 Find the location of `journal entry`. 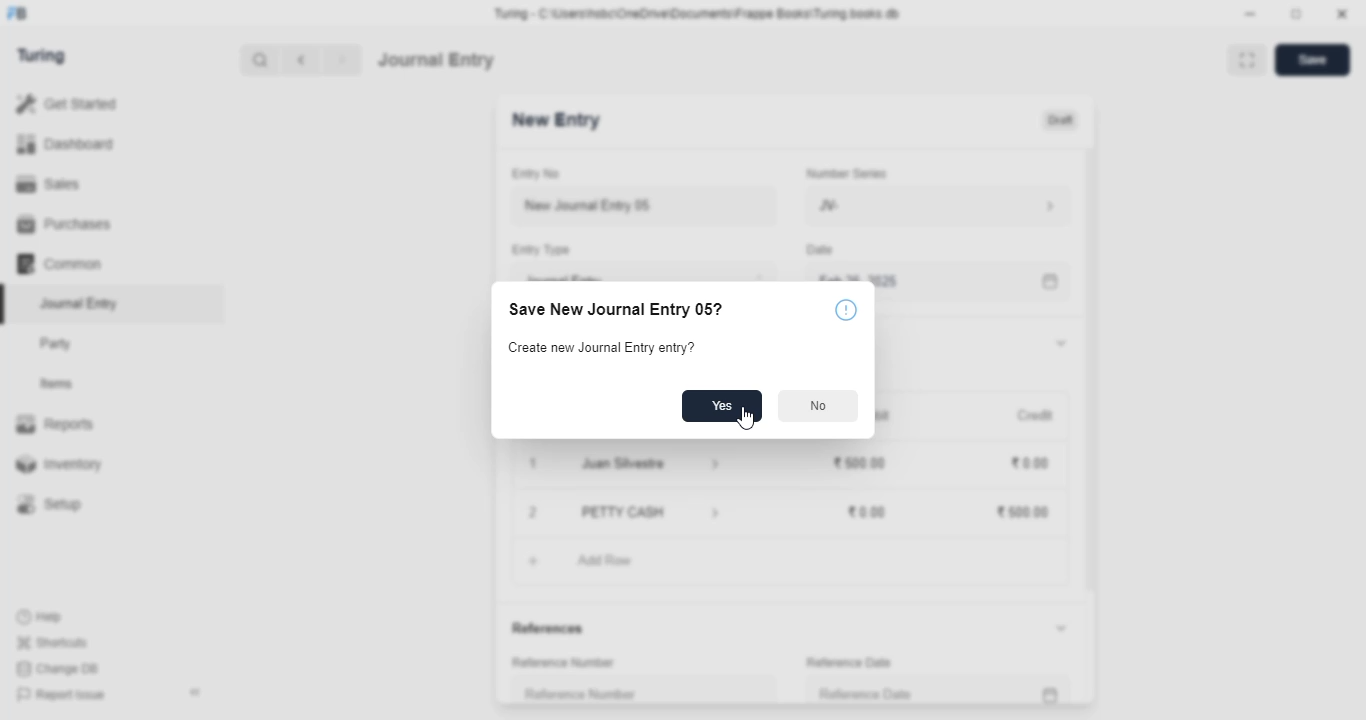

journal entry is located at coordinates (645, 273).